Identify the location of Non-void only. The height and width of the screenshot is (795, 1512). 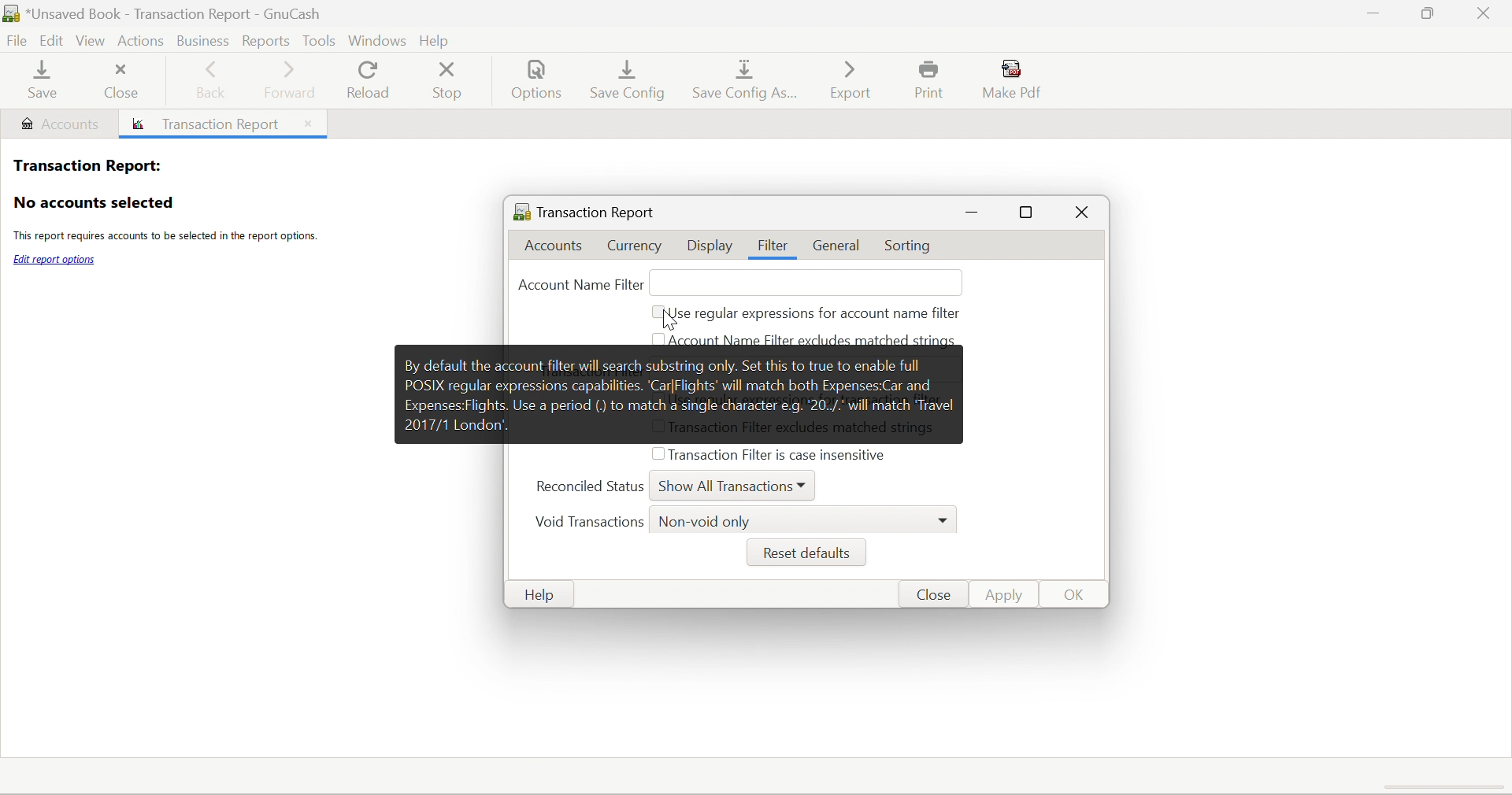
(706, 523).